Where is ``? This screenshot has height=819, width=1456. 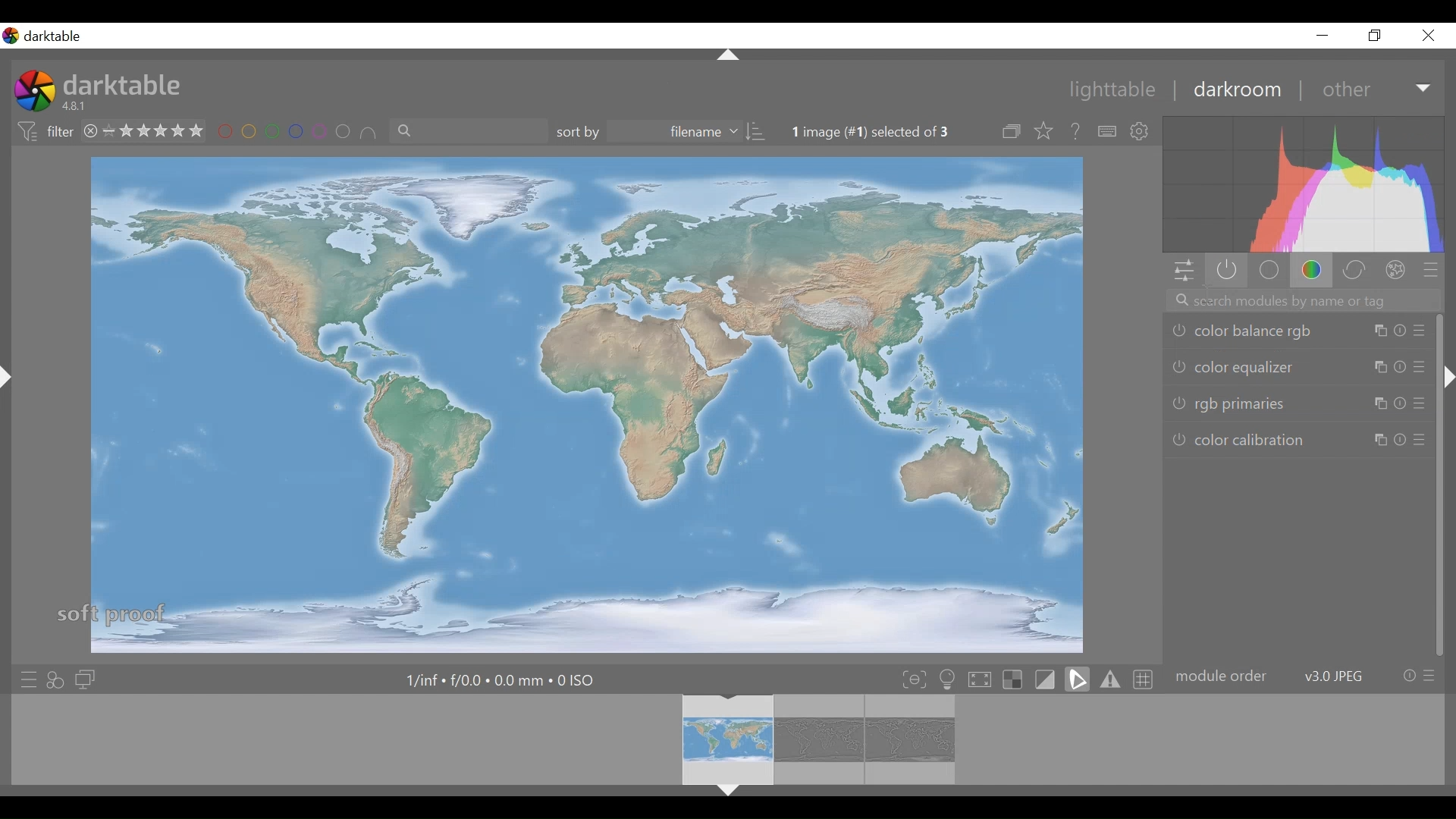
 is located at coordinates (730, 55).